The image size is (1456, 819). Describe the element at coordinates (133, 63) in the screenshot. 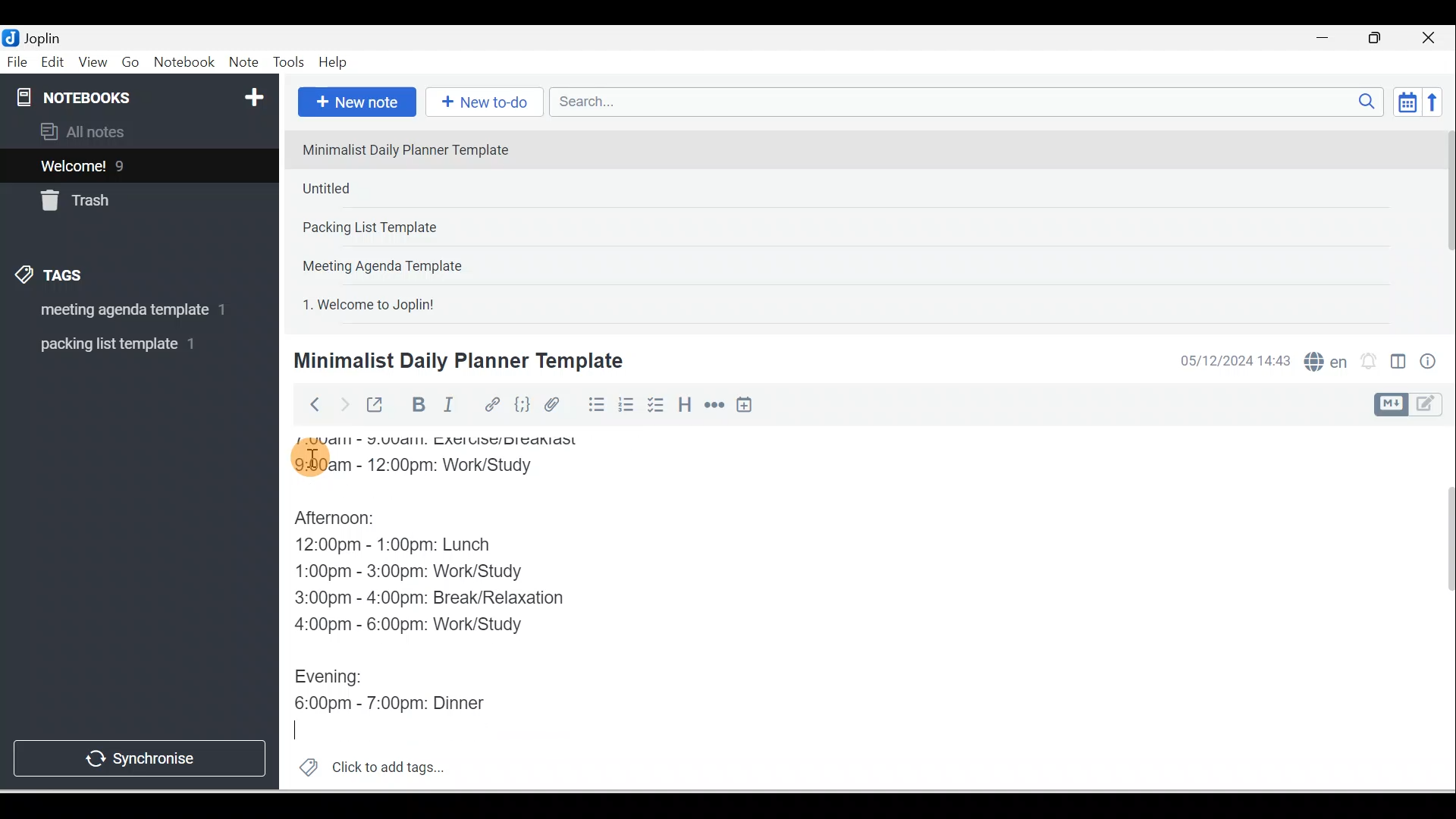

I see `Go` at that location.